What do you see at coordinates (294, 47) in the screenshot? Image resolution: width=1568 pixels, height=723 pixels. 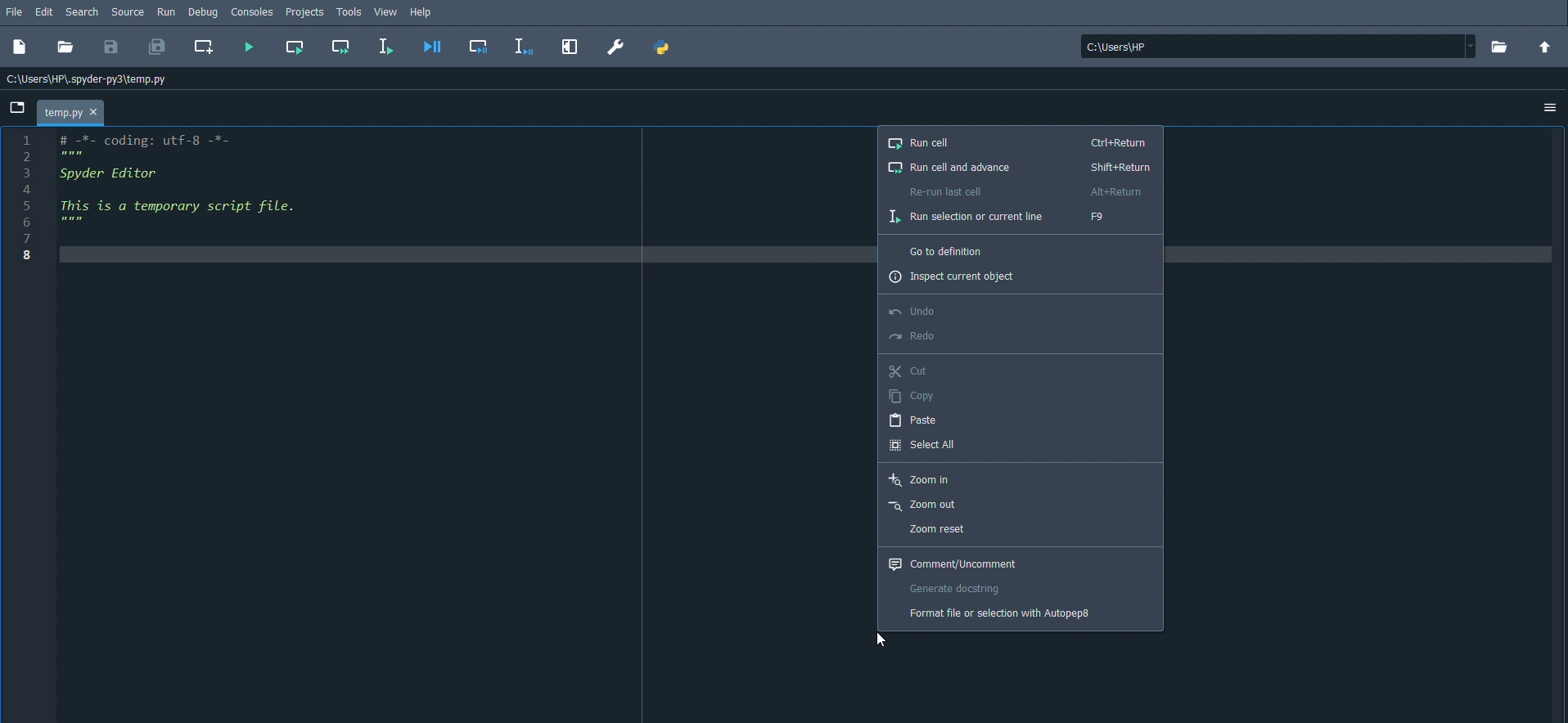 I see `Run current cell` at bounding box center [294, 47].